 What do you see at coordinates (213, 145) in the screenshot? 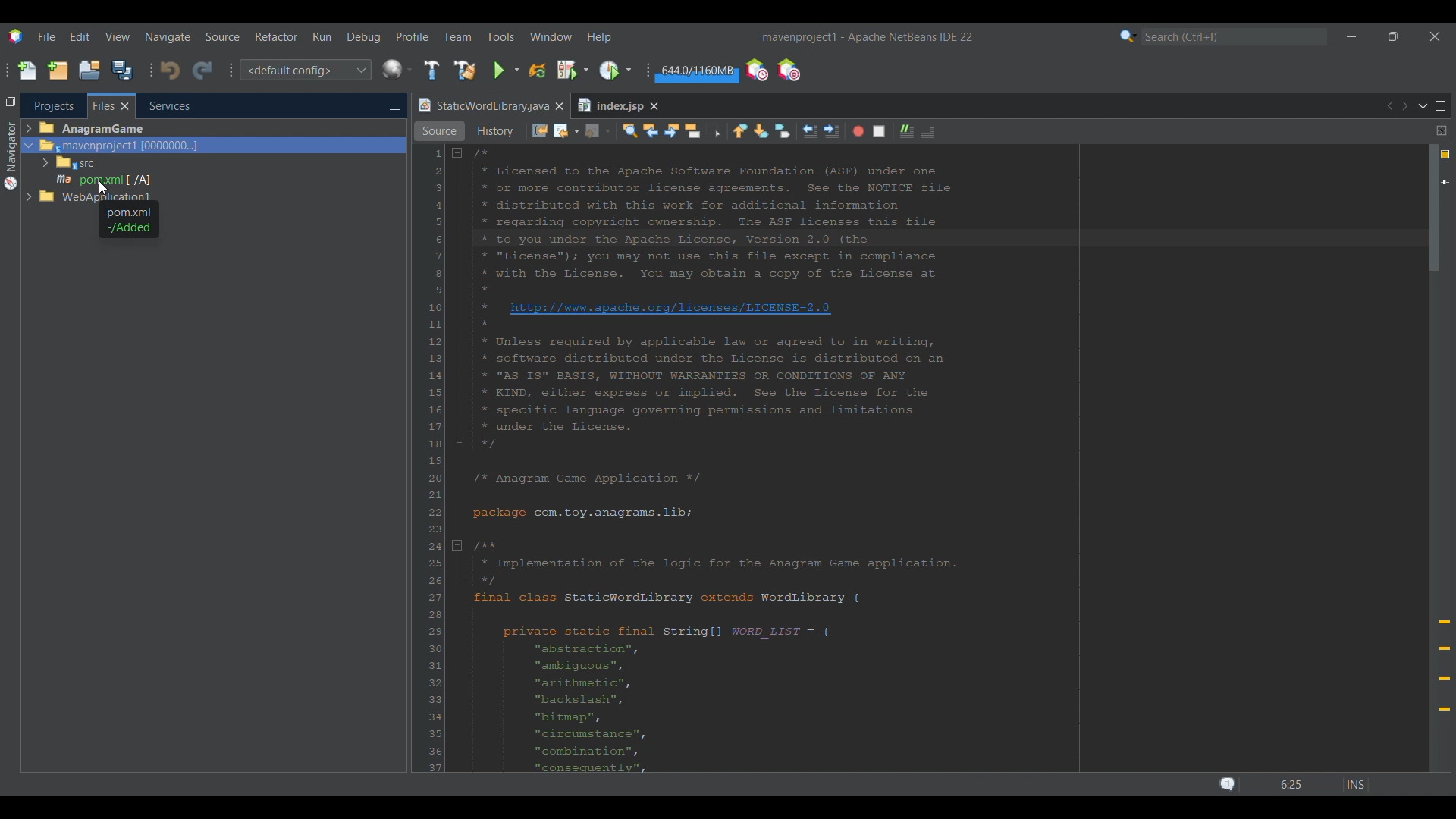
I see `Selected file highlighted` at bounding box center [213, 145].